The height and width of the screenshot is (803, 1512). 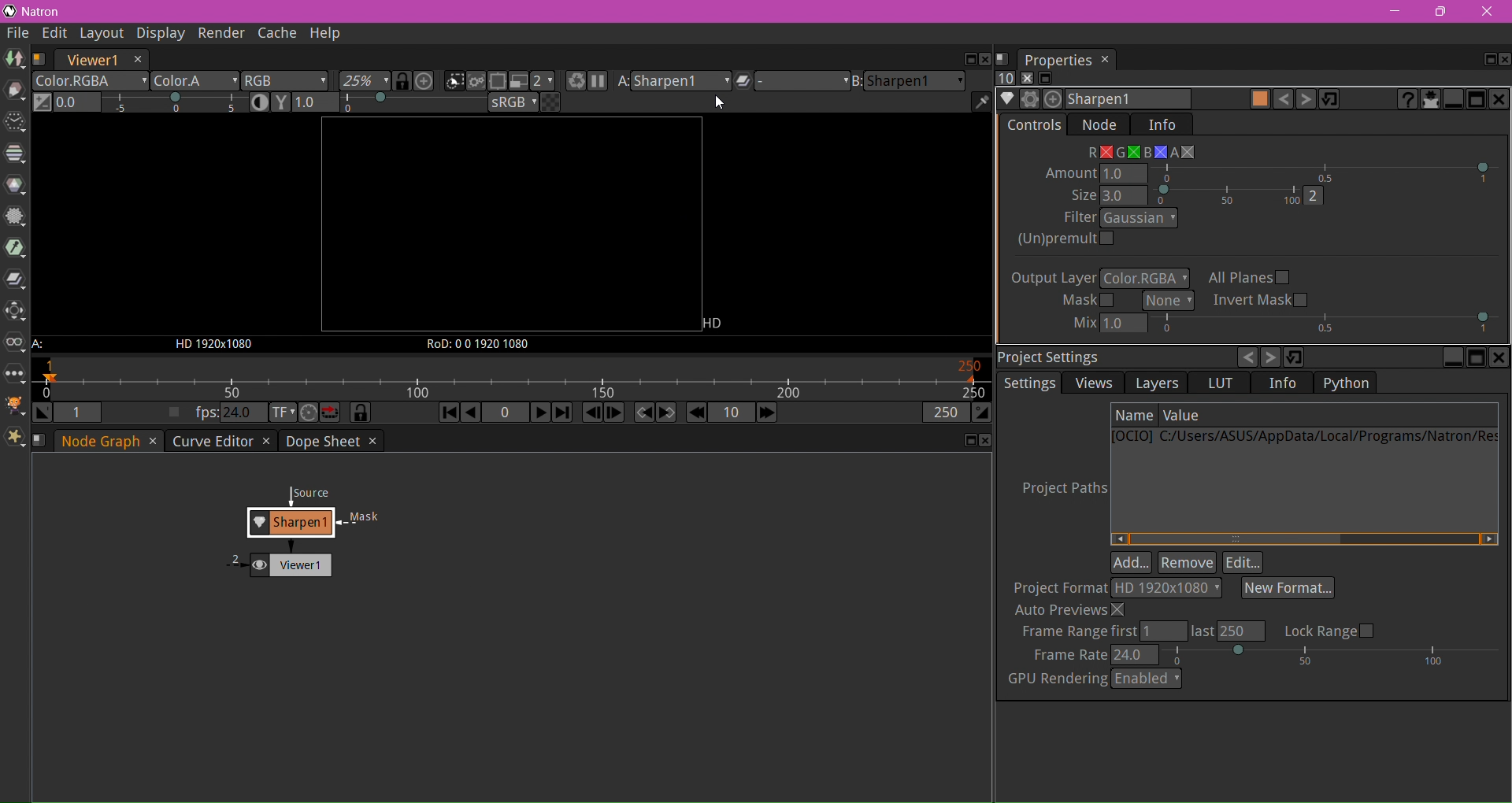 What do you see at coordinates (1159, 383) in the screenshot?
I see `[EWS` at bounding box center [1159, 383].